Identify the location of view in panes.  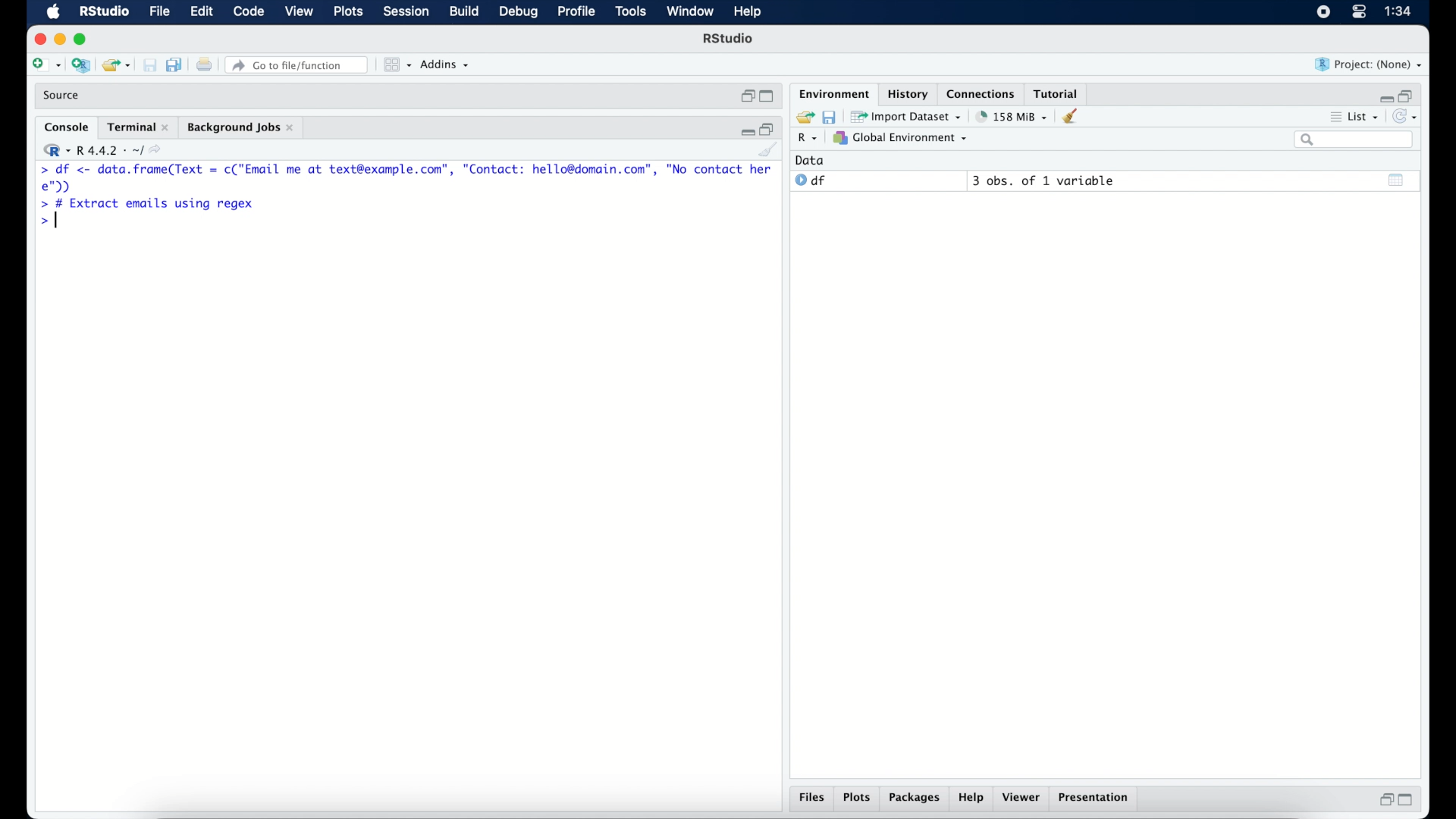
(396, 65).